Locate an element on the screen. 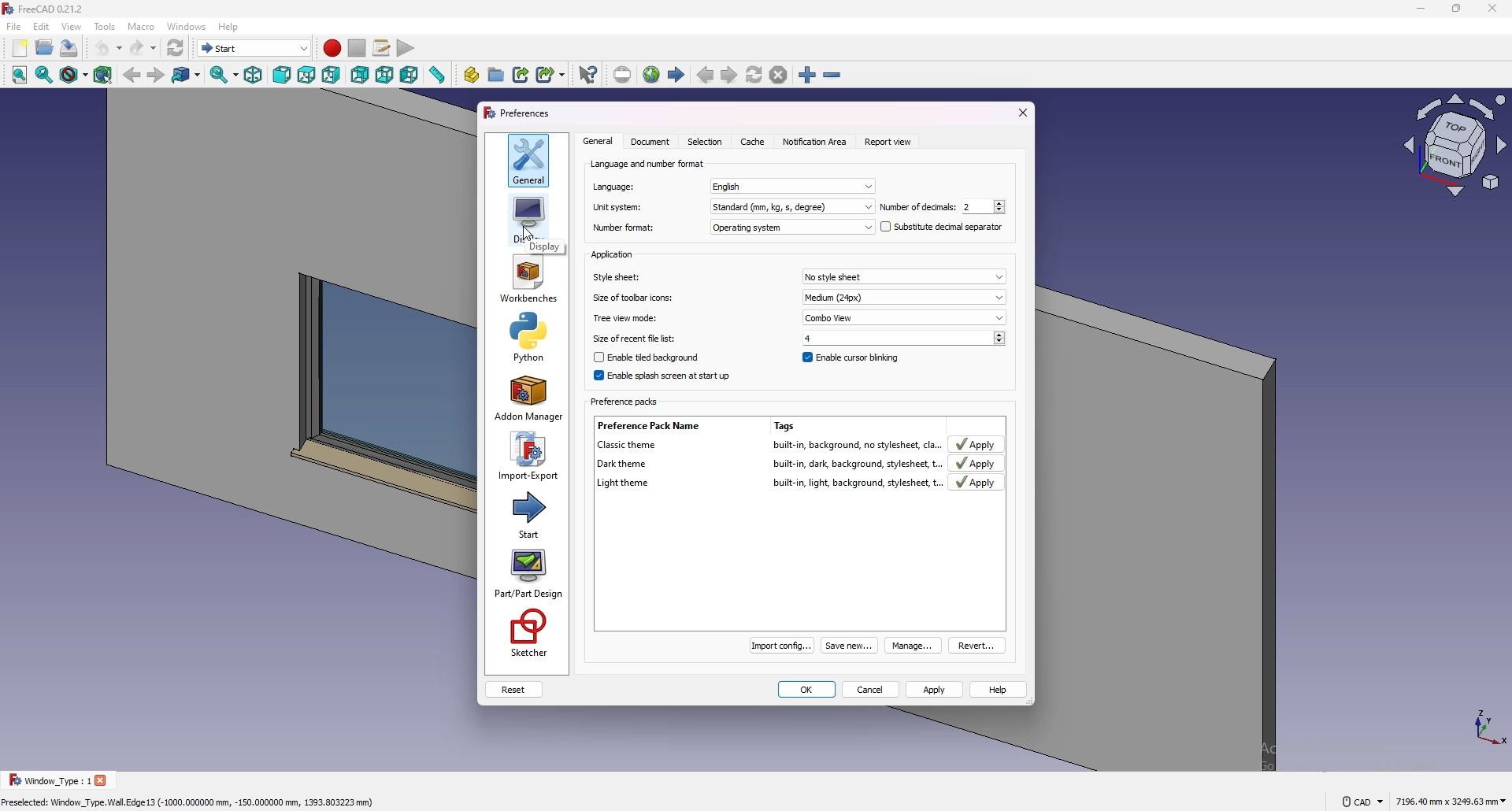  help is located at coordinates (999, 690).